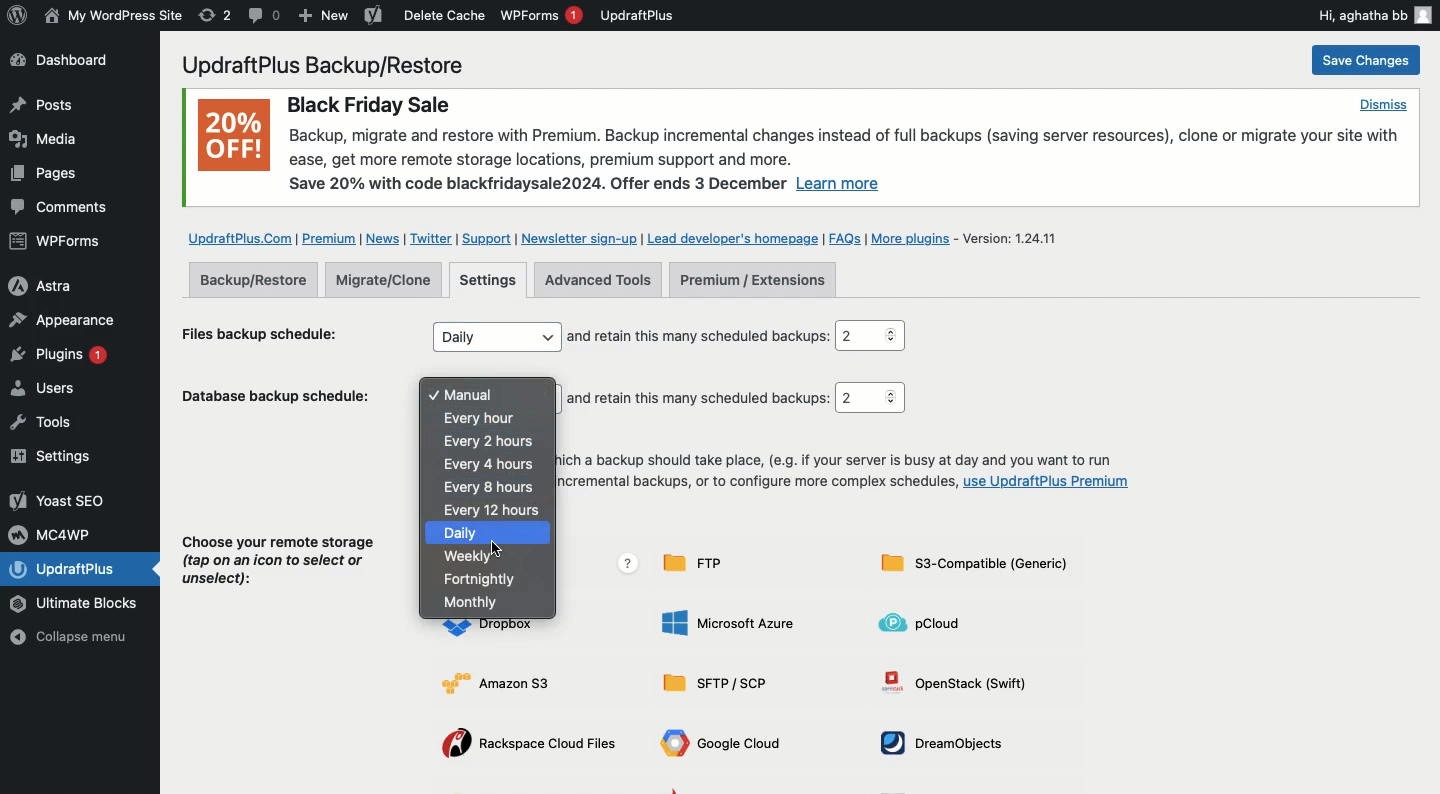 The image size is (1440, 794). I want to click on Dismiss, so click(1382, 104).